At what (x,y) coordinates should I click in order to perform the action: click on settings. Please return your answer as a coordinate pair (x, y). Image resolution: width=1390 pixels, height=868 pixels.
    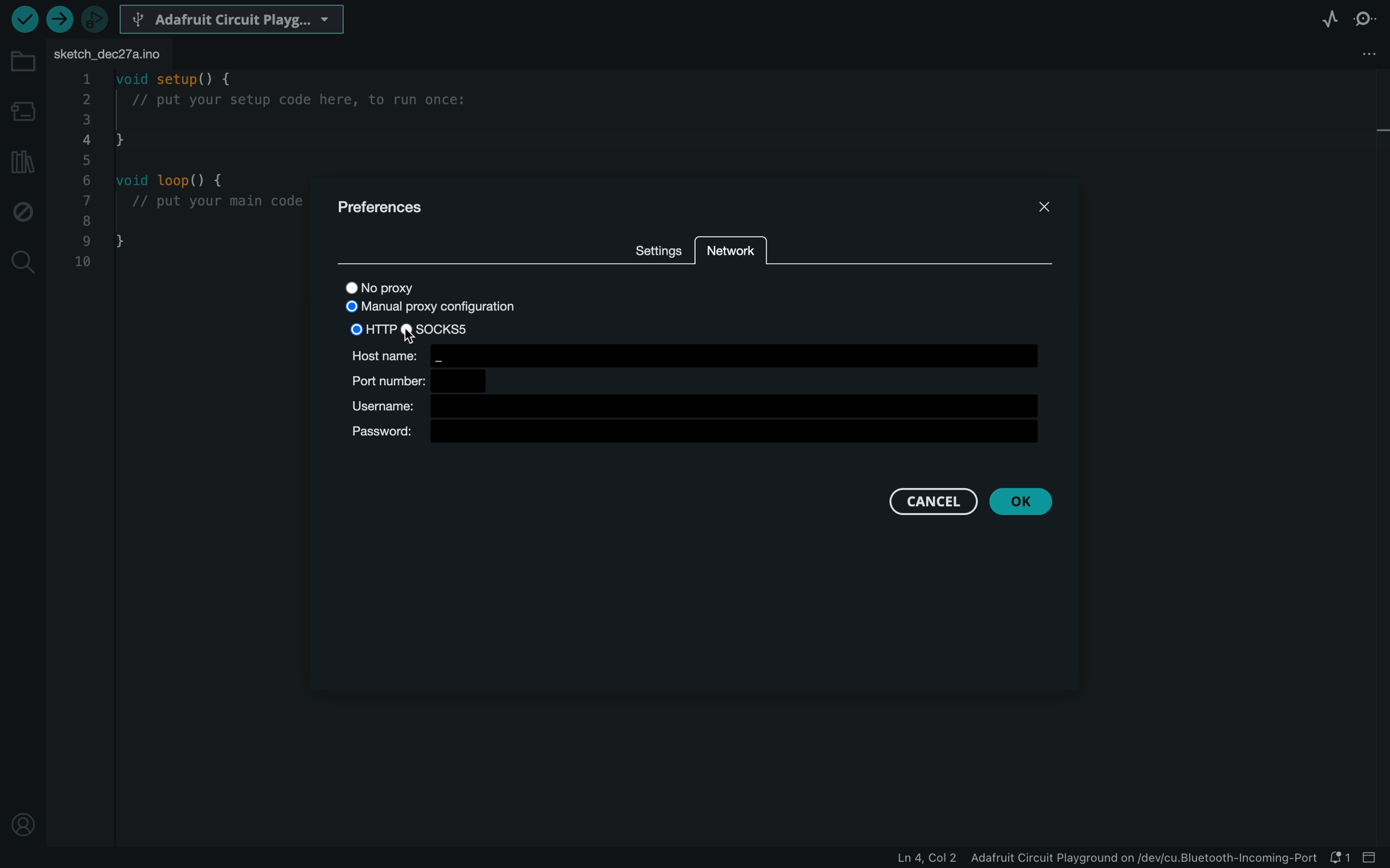
    Looking at the image, I should click on (658, 253).